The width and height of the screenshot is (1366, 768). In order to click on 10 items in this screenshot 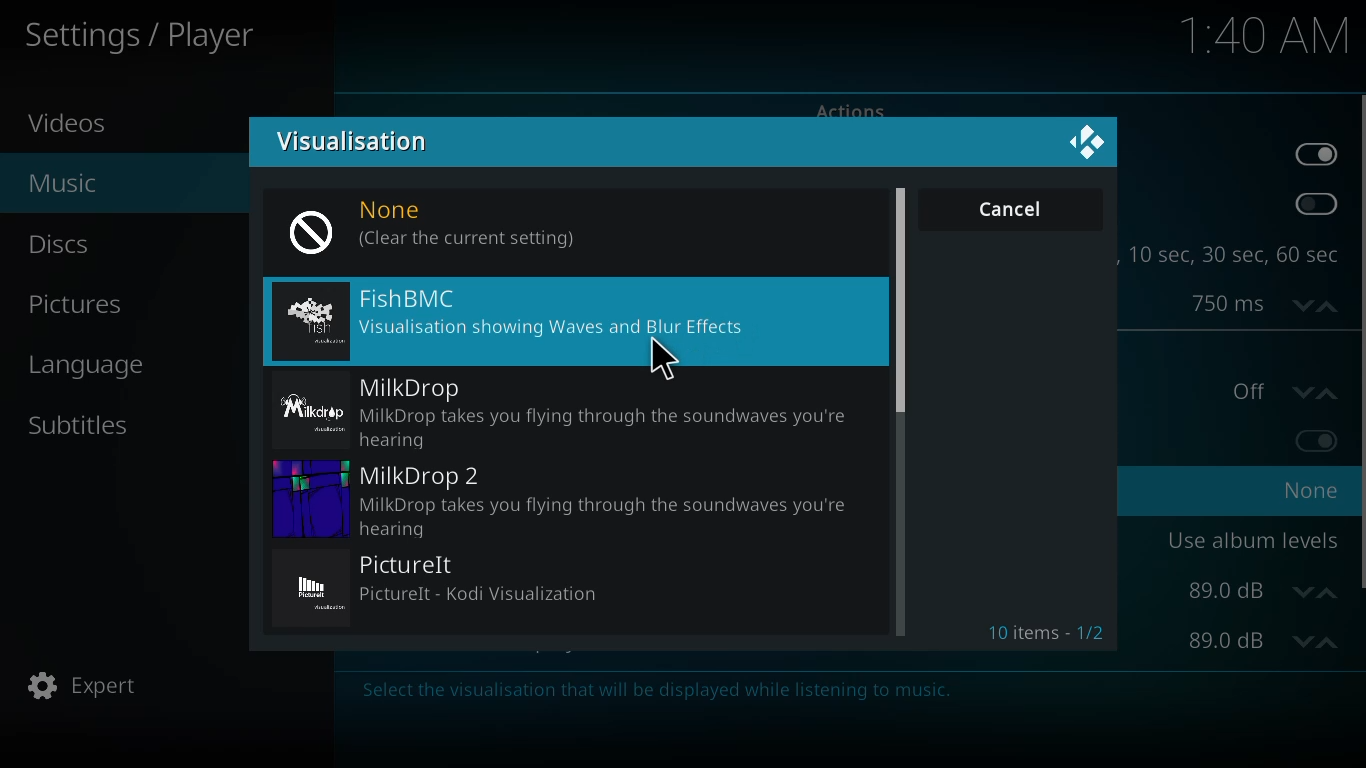, I will do `click(1045, 635)`.